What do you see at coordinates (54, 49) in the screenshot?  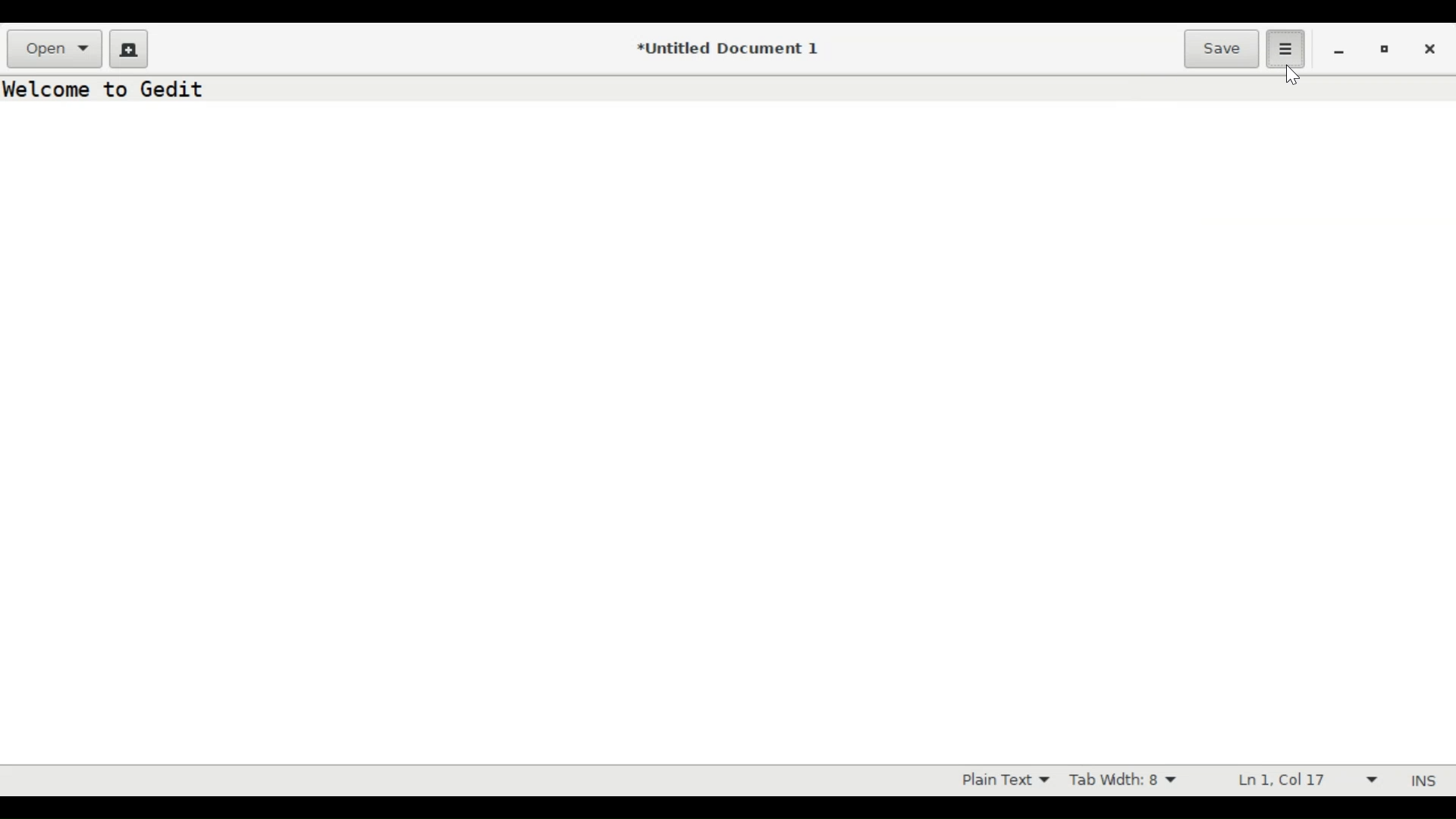 I see `Open` at bounding box center [54, 49].